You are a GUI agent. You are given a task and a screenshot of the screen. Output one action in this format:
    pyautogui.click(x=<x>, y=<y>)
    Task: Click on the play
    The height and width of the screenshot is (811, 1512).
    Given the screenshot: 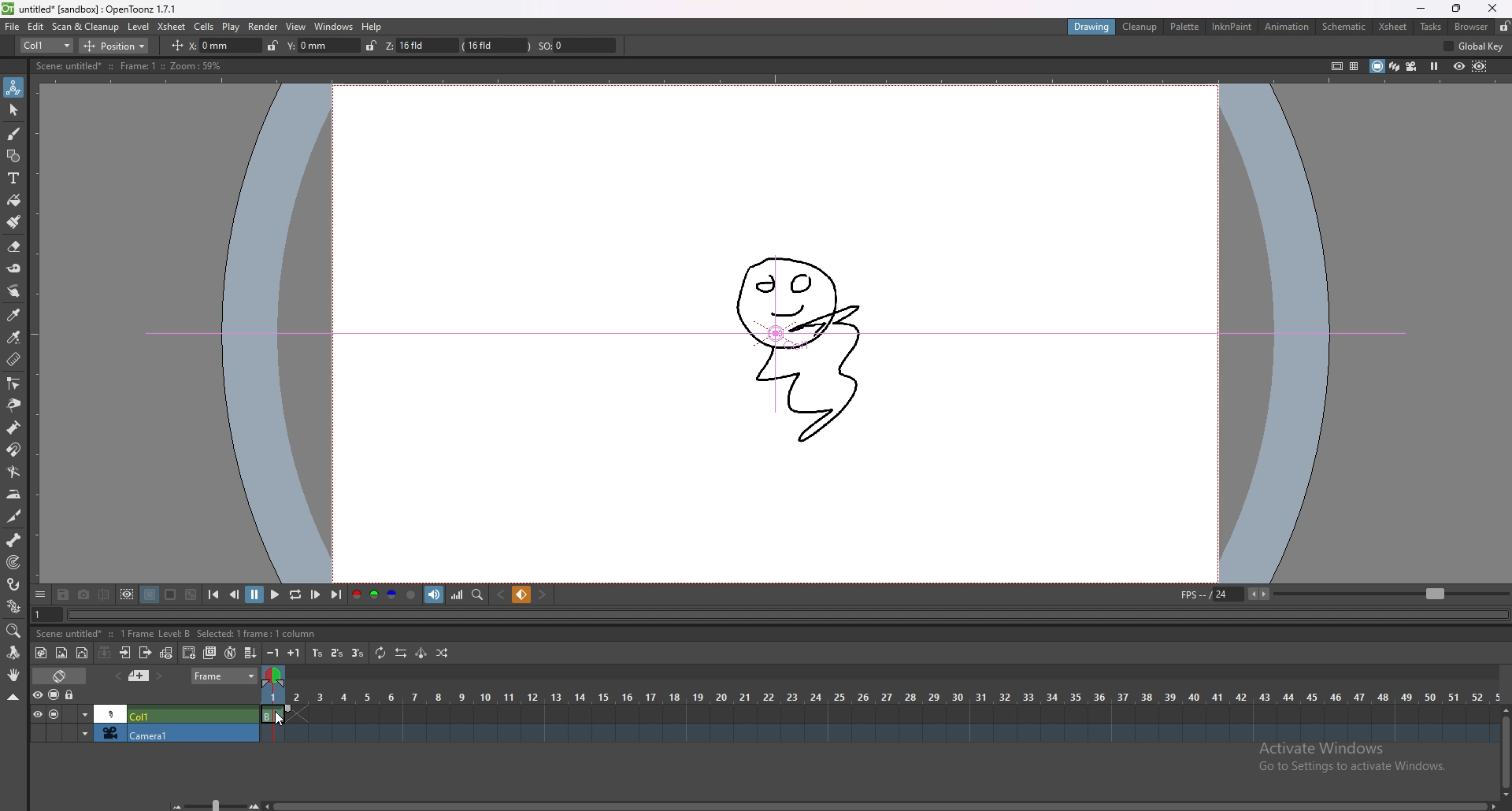 What is the action you would take?
    pyautogui.click(x=232, y=27)
    